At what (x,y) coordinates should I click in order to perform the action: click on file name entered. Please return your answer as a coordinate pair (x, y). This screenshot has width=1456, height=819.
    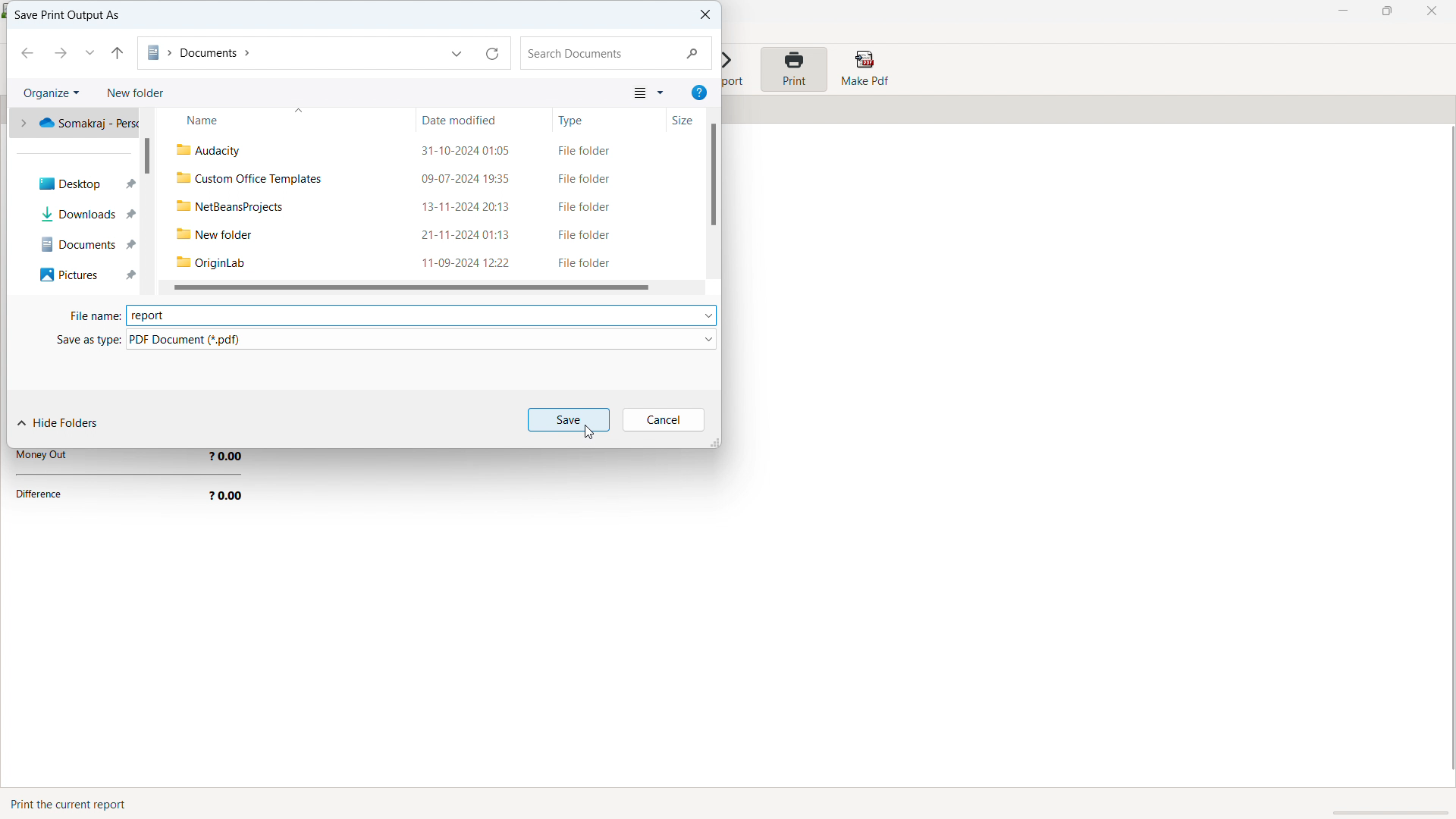
    Looking at the image, I should click on (420, 315).